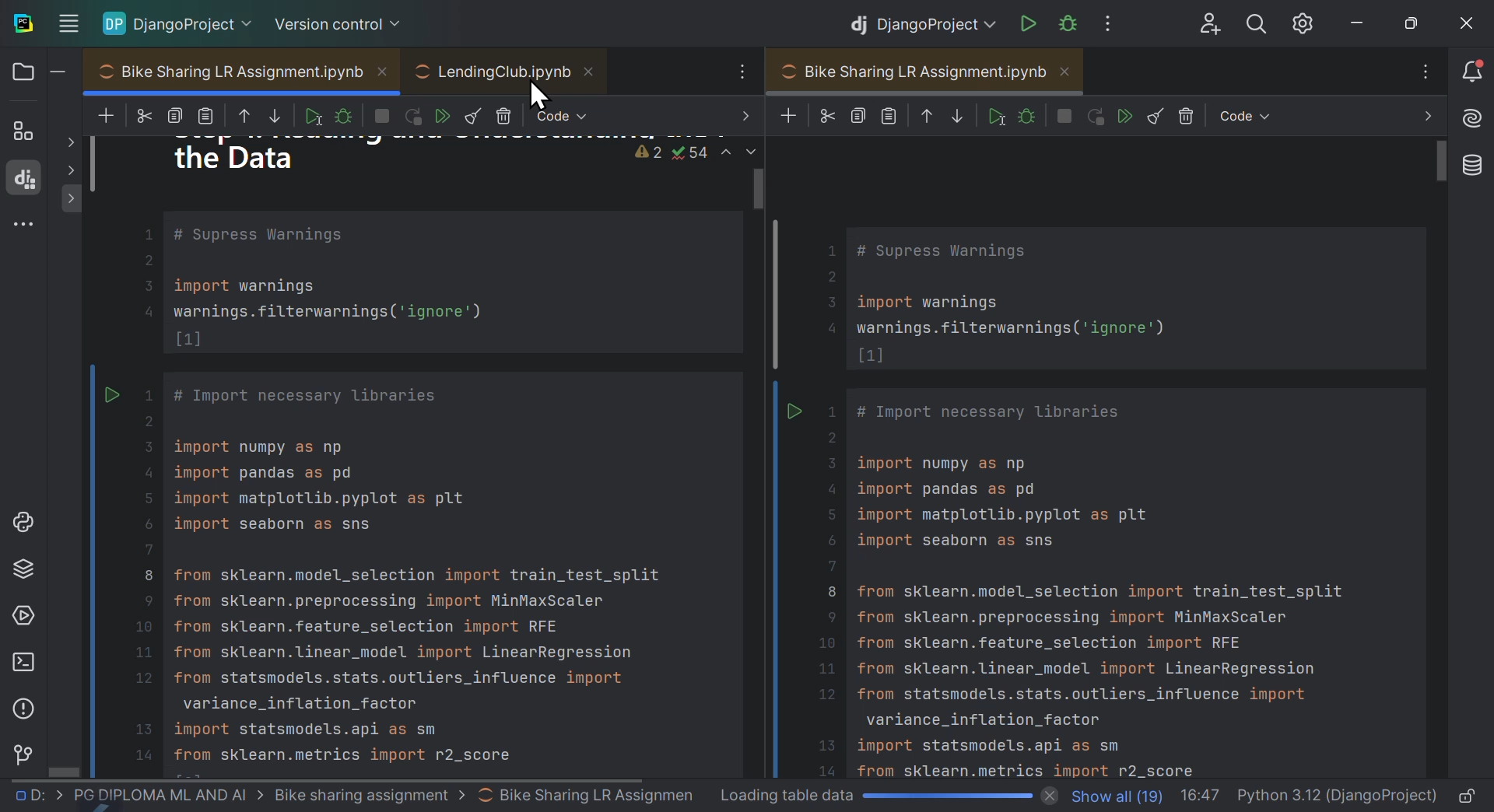 The height and width of the screenshot is (812, 1494). Describe the element at coordinates (1476, 73) in the screenshot. I see `Notifications` at that location.